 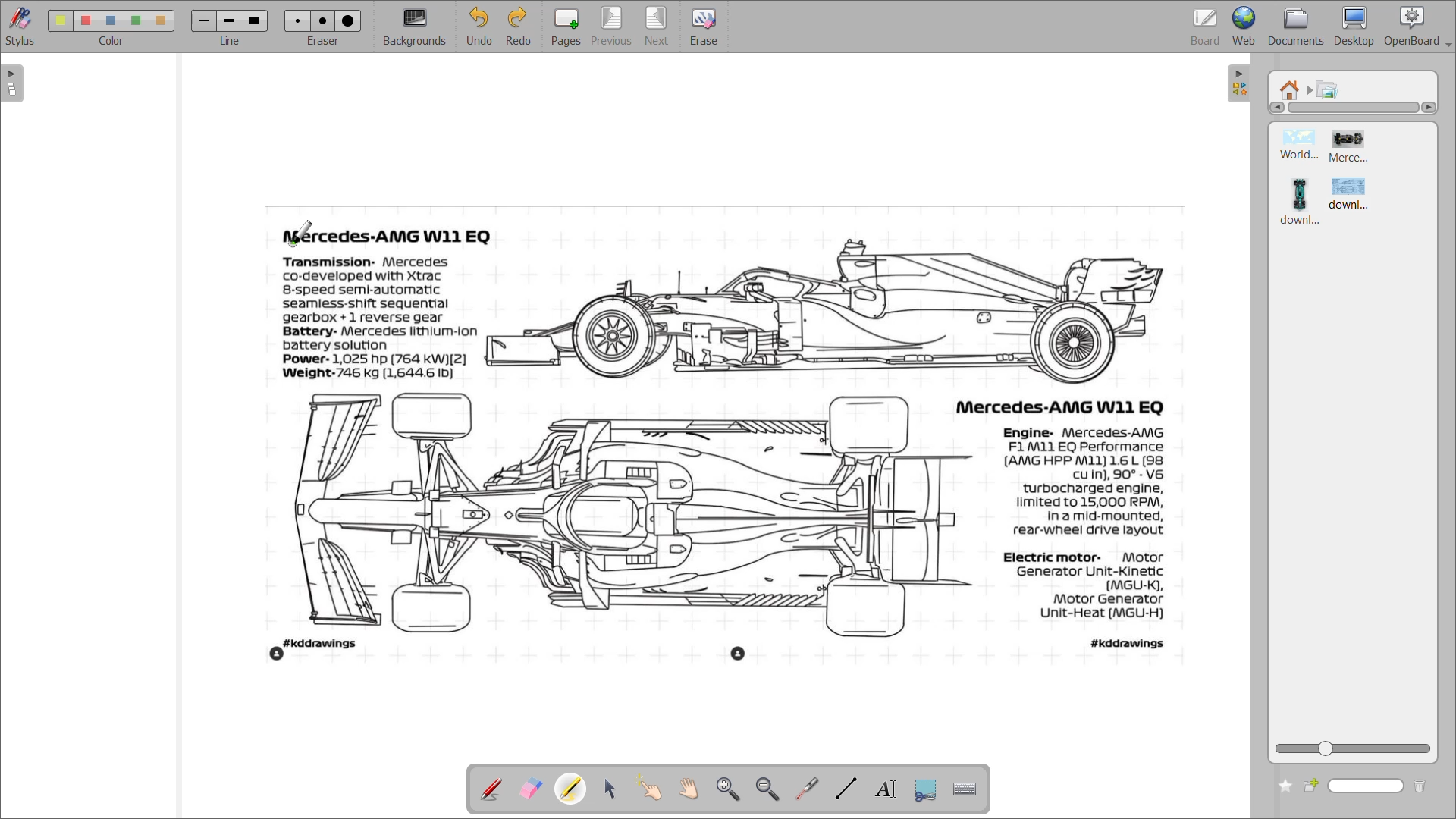 What do you see at coordinates (849, 787) in the screenshot?
I see `draw lines` at bounding box center [849, 787].